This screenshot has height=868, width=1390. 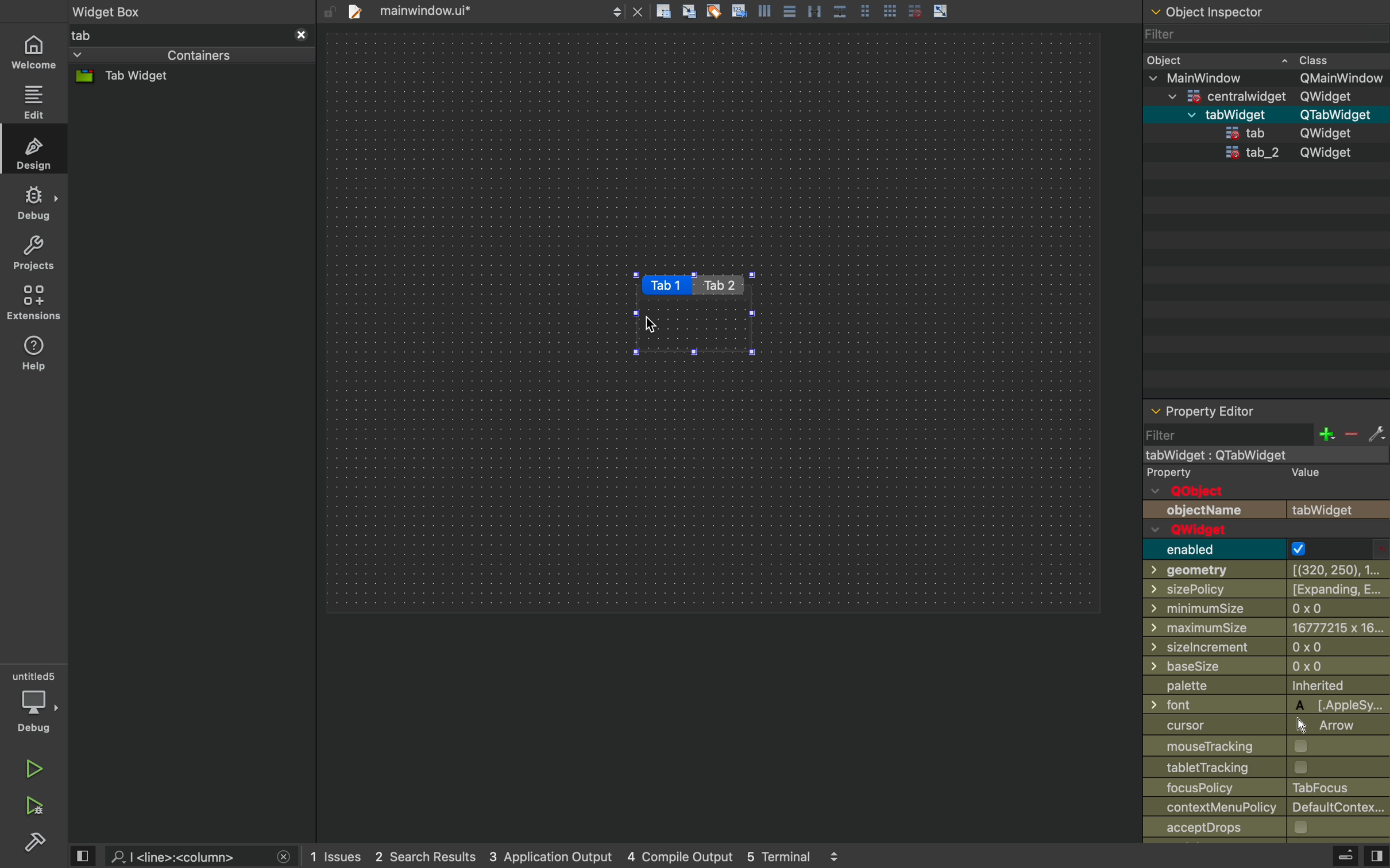 What do you see at coordinates (1227, 491) in the screenshot?
I see `qobject` at bounding box center [1227, 491].